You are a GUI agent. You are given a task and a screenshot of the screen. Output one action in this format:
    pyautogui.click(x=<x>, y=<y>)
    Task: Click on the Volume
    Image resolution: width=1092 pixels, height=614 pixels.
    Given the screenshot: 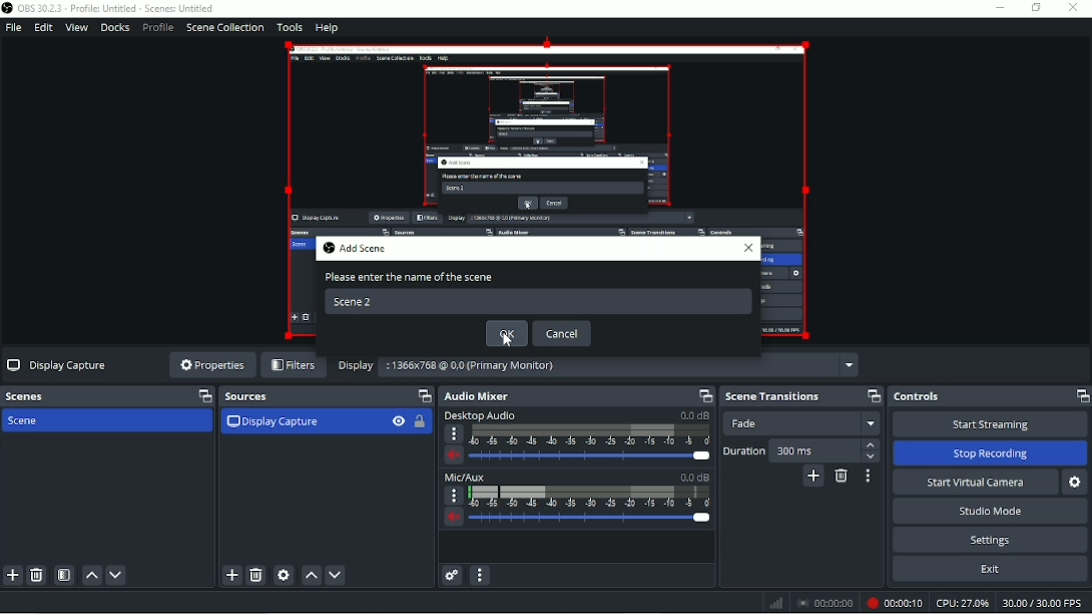 What is the action you would take?
    pyautogui.click(x=453, y=519)
    